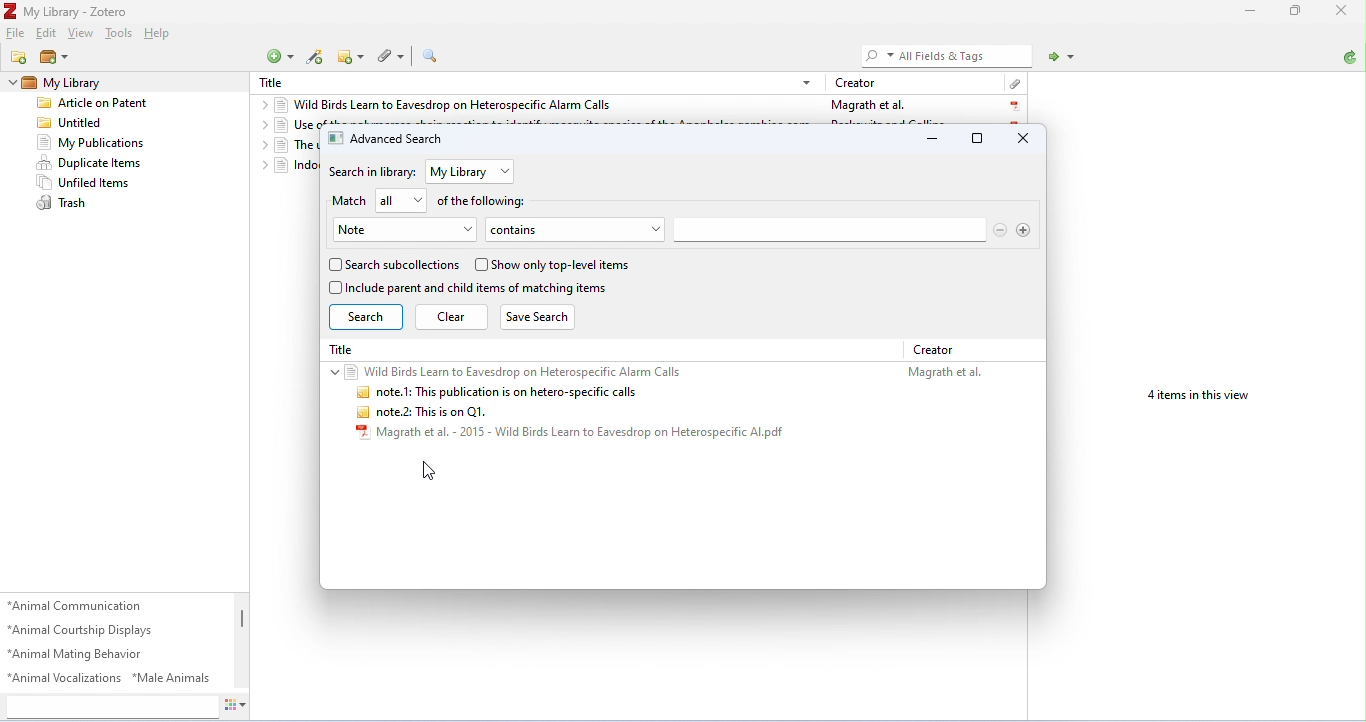 This screenshot has width=1366, height=722. I want to click on maximize, so click(979, 138).